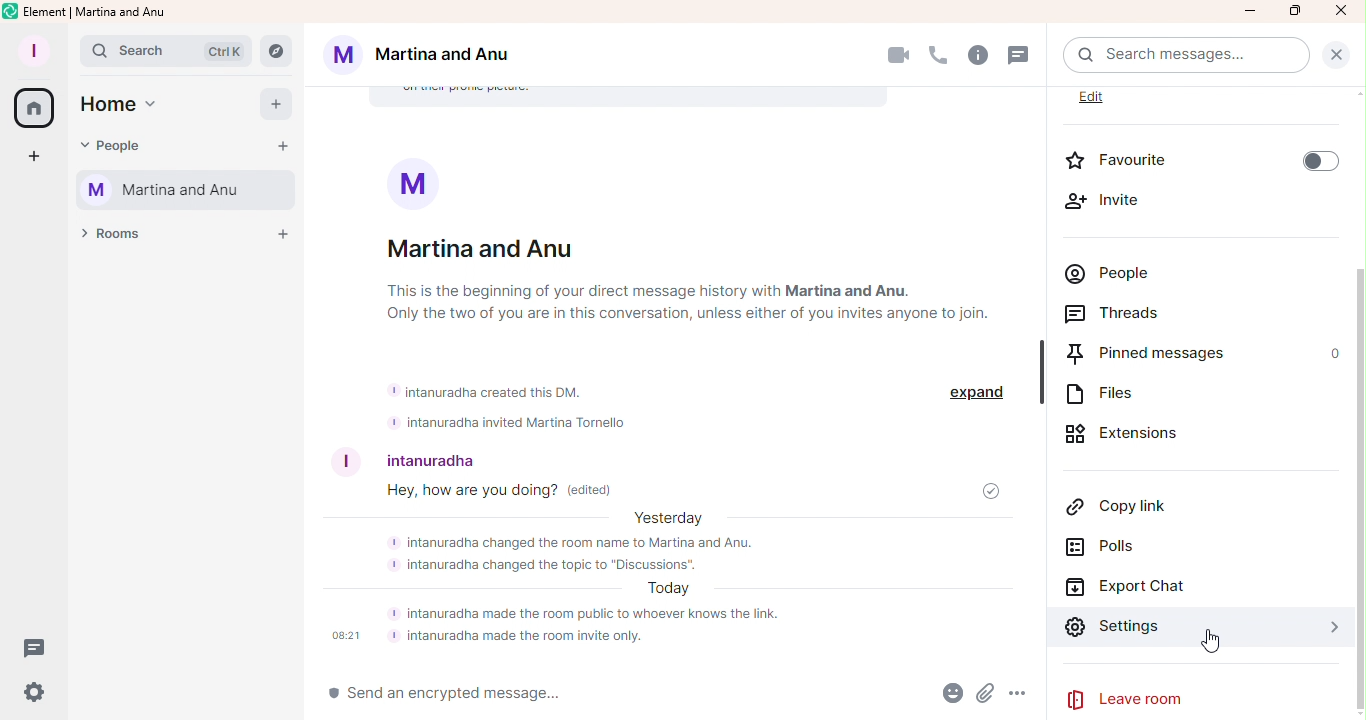  Describe the element at coordinates (1137, 587) in the screenshot. I see `Export chat` at that location.